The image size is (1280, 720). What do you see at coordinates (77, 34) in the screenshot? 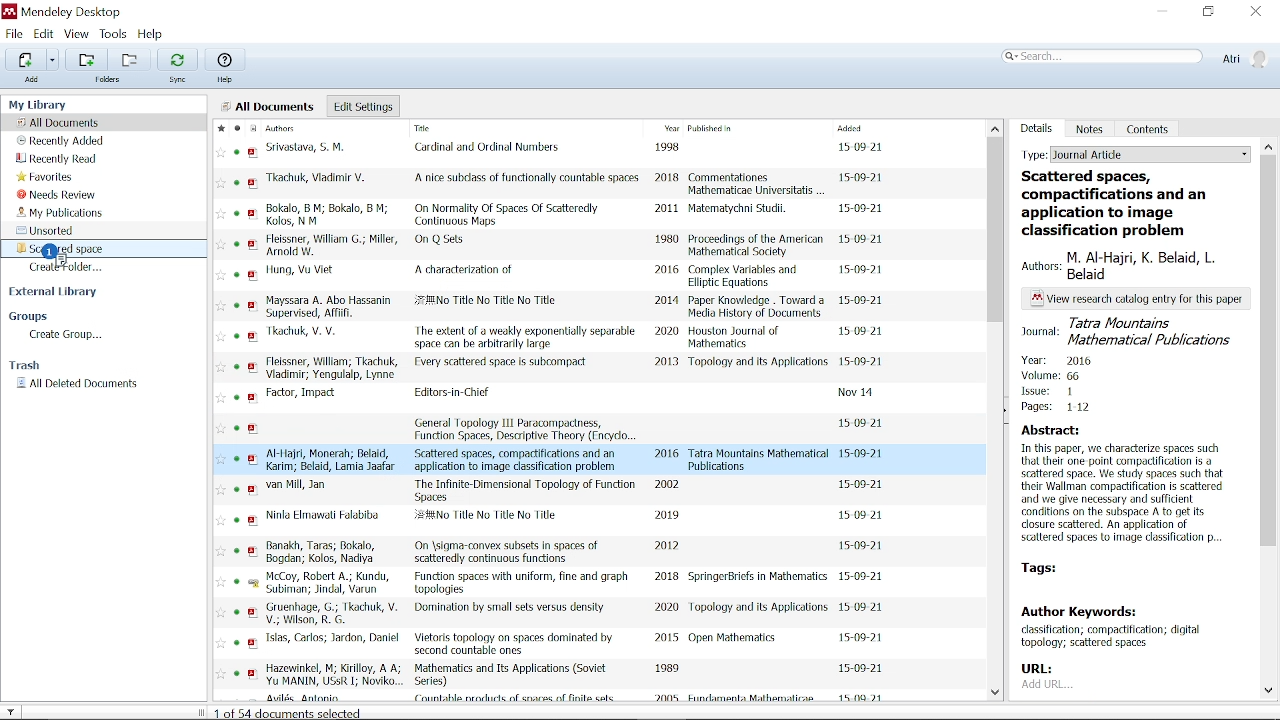
I see `View` at bounding box center [77, 34].